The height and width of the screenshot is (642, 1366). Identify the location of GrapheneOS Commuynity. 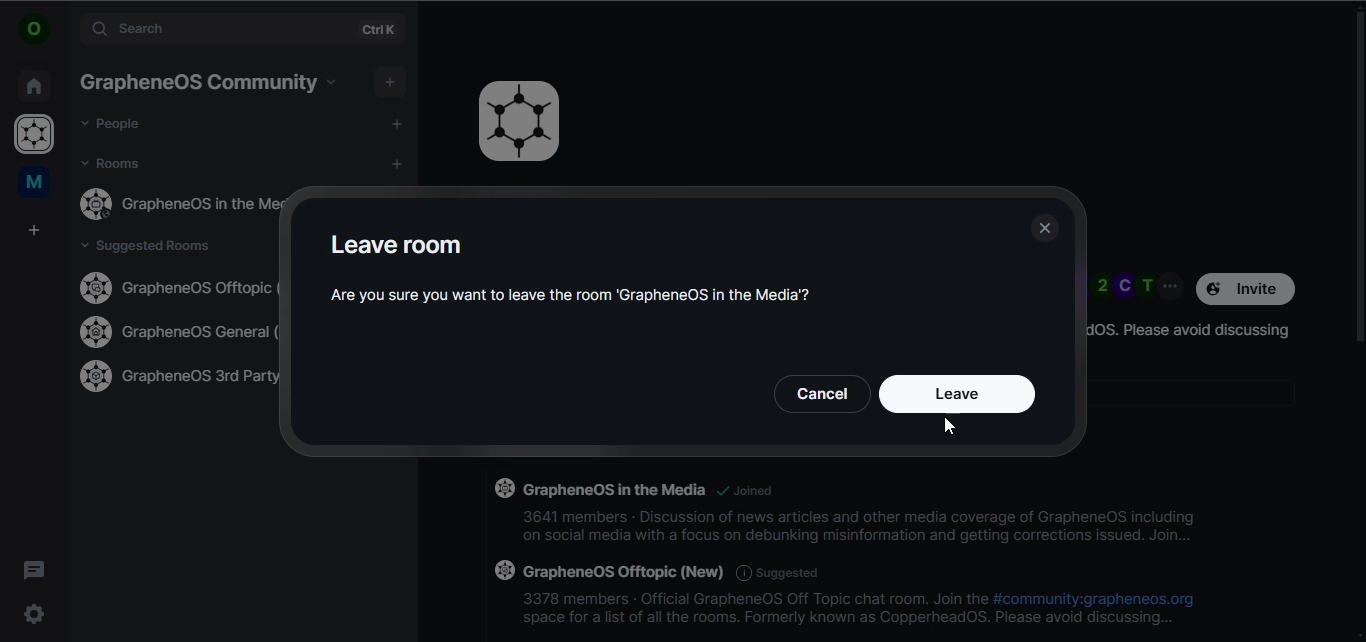
(197, 82).